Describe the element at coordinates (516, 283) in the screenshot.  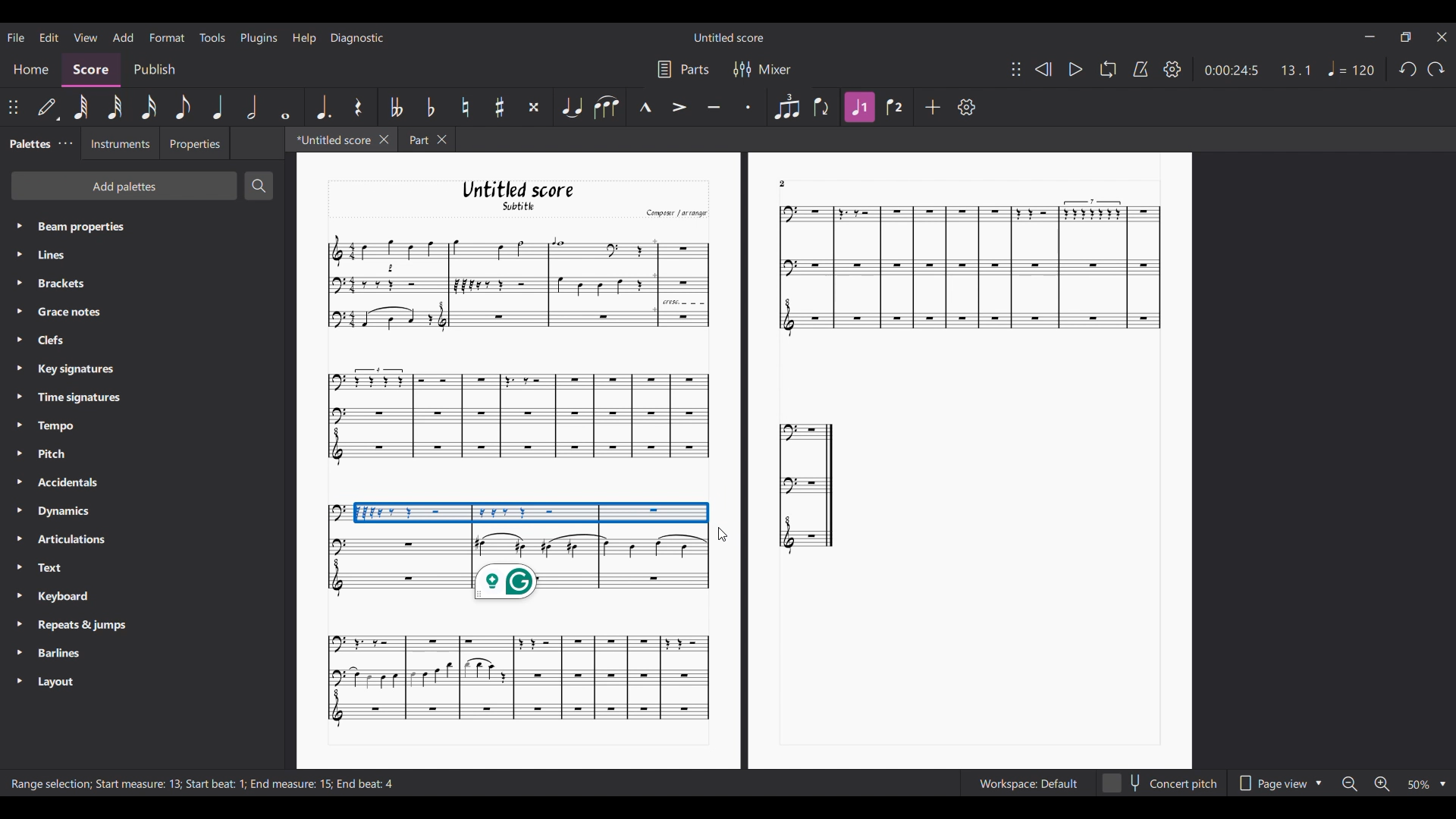
I see `Graph` at that location.